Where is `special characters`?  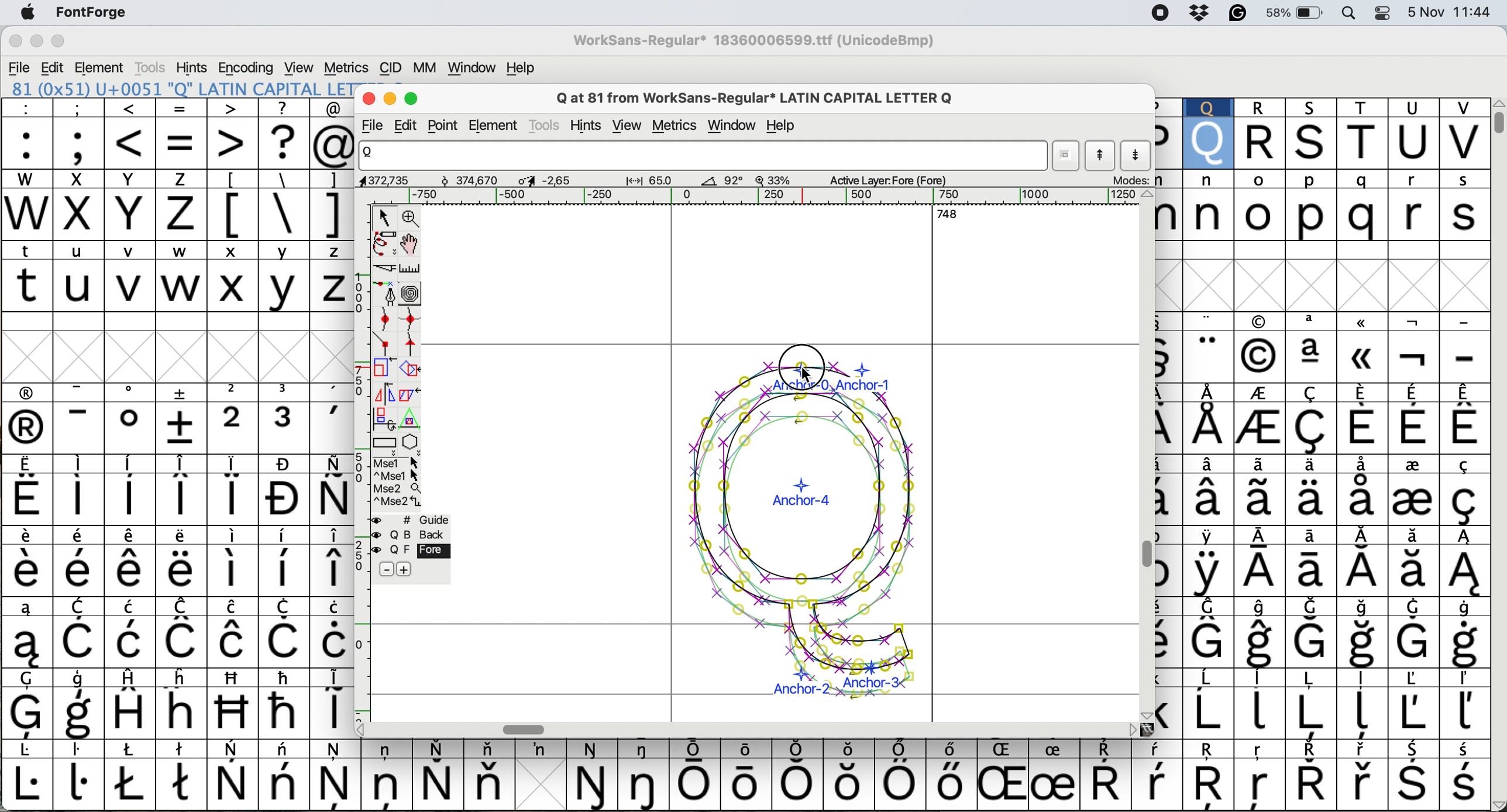 special characters is located at coordinates (274, 180).